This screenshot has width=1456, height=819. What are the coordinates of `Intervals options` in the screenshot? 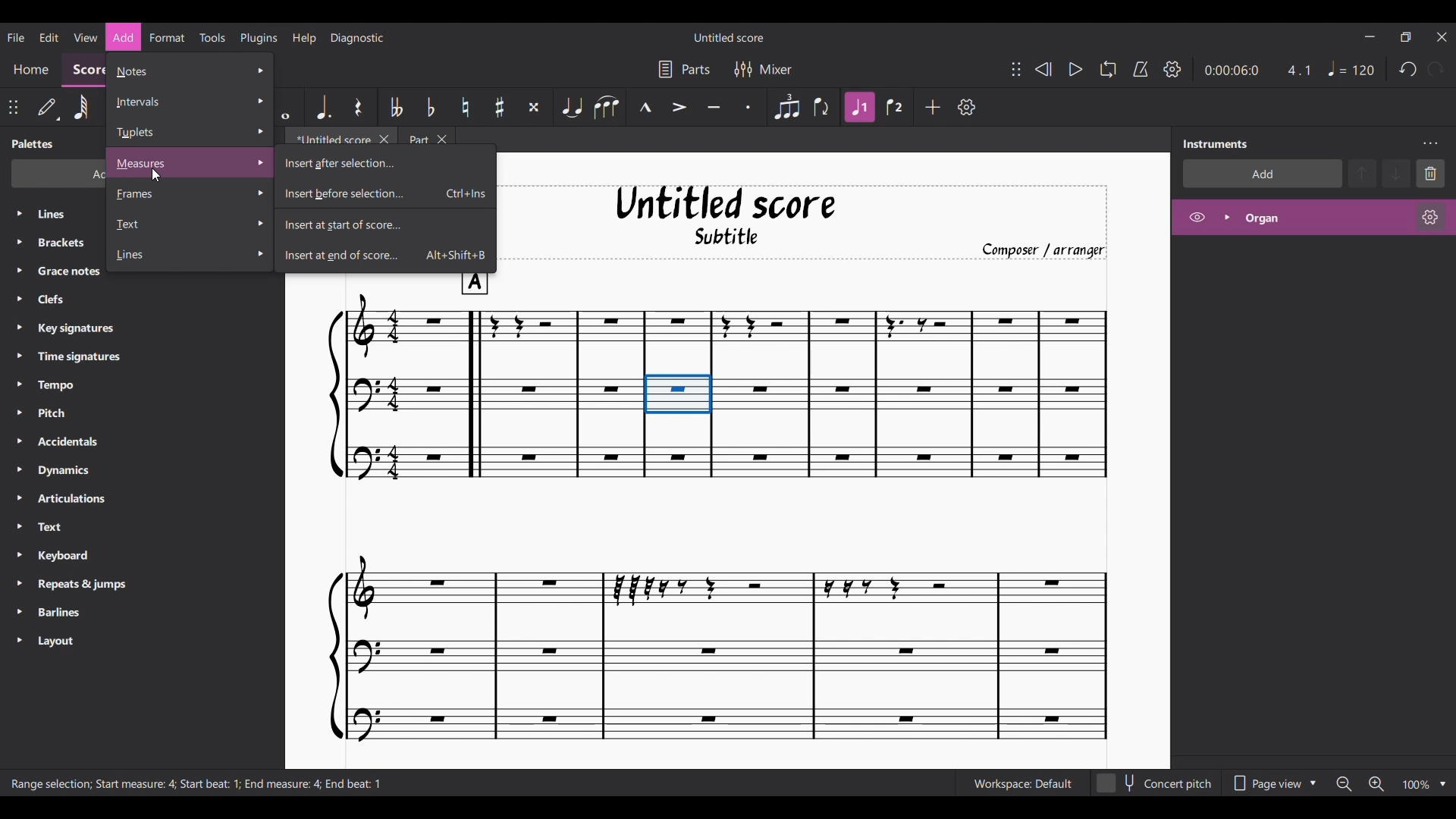 It's located at (189, 101).